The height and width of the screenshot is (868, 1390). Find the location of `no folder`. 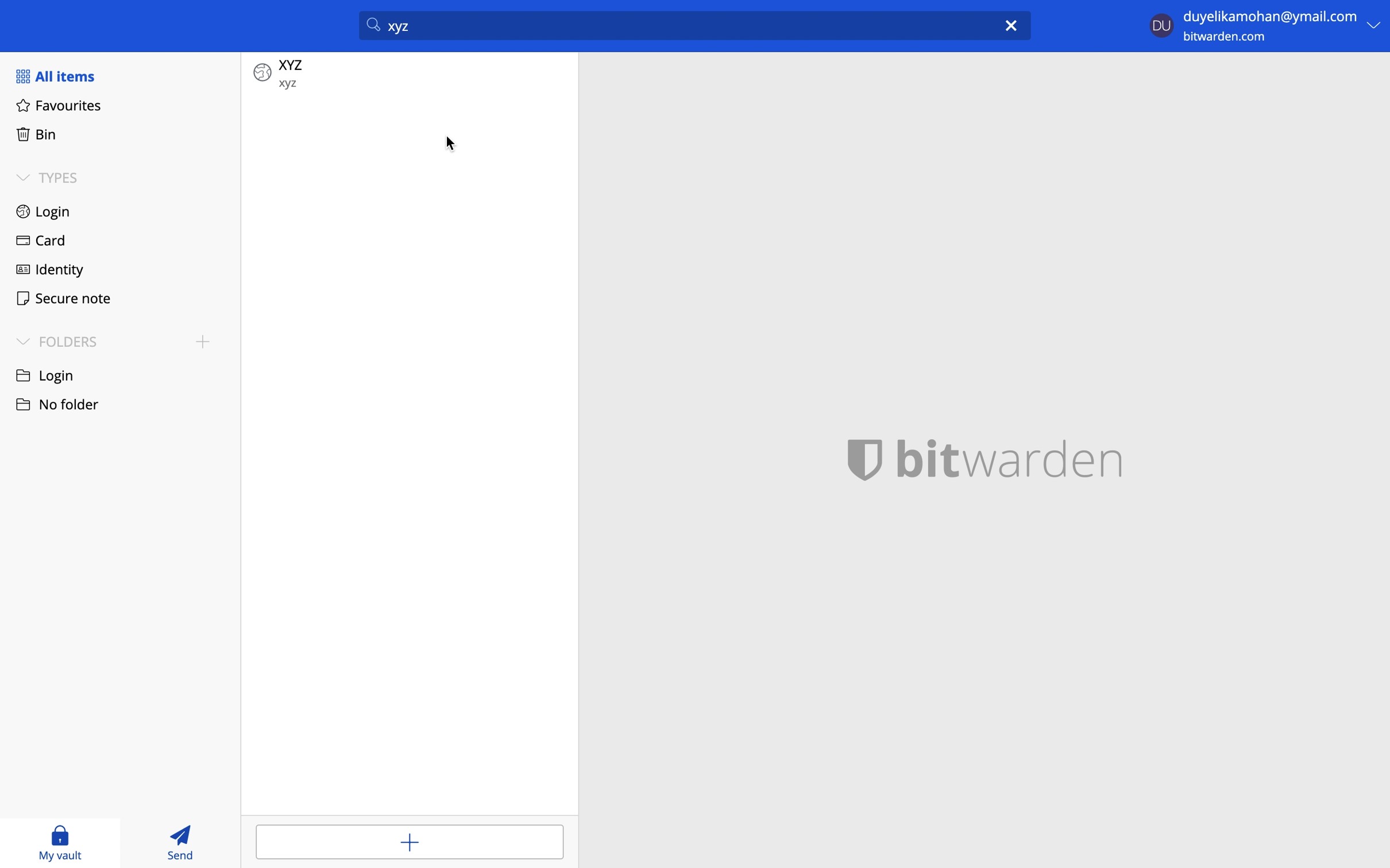

no folder is located at coordinates (62, 404).